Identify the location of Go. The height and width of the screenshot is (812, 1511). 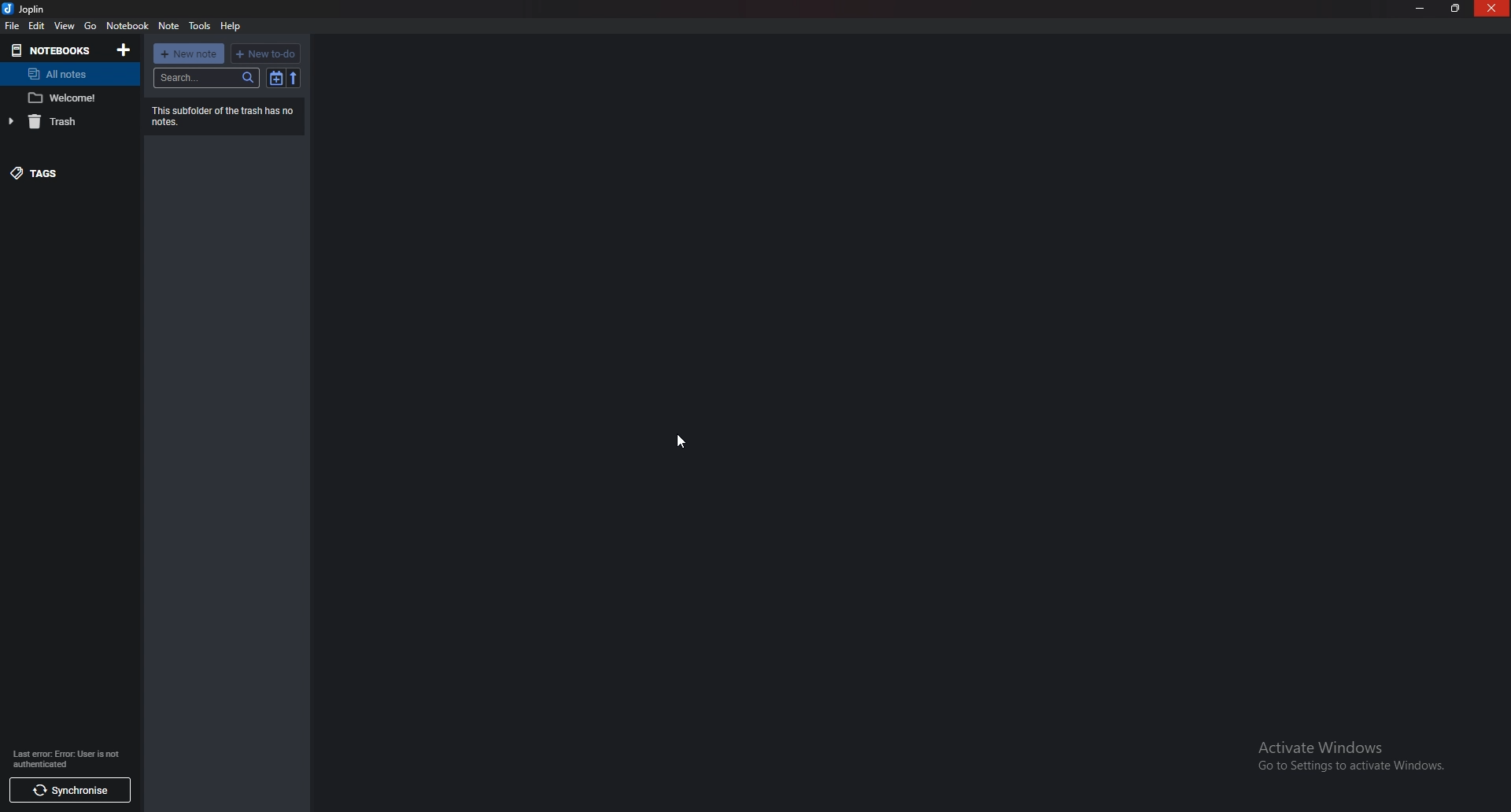
(92, 27).